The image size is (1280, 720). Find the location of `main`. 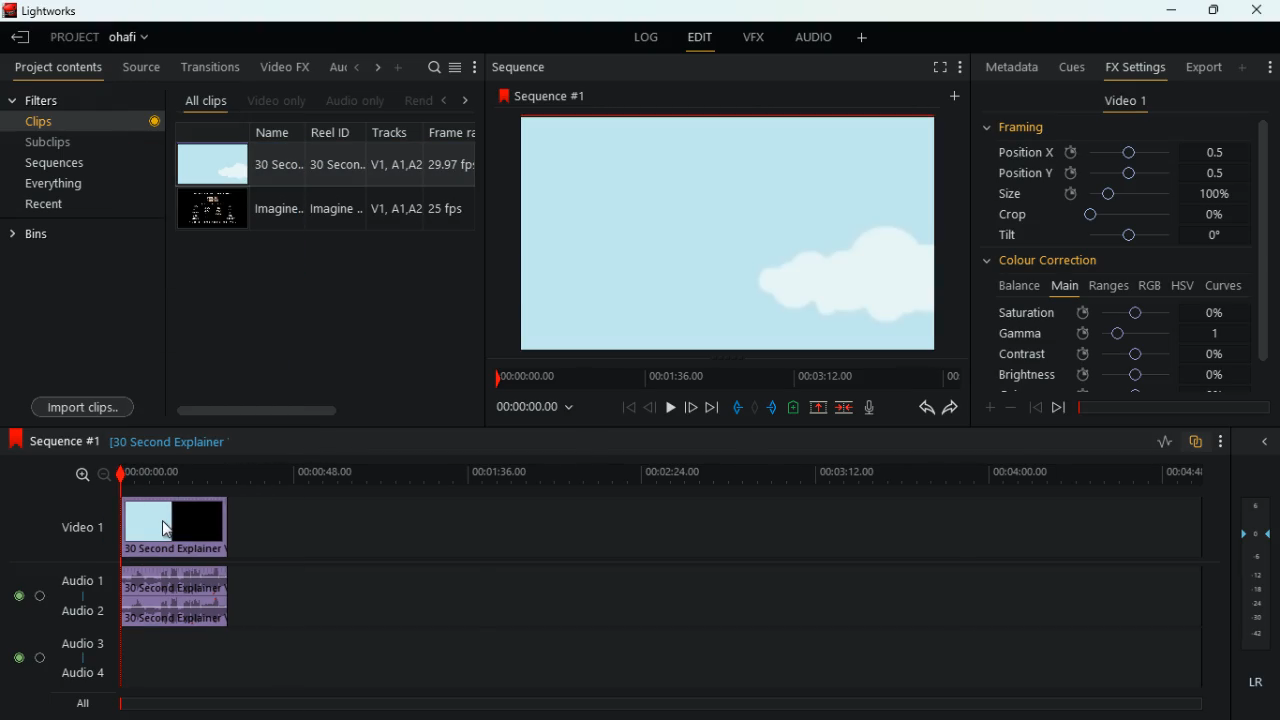

main is located at coordinates (1062, 287).